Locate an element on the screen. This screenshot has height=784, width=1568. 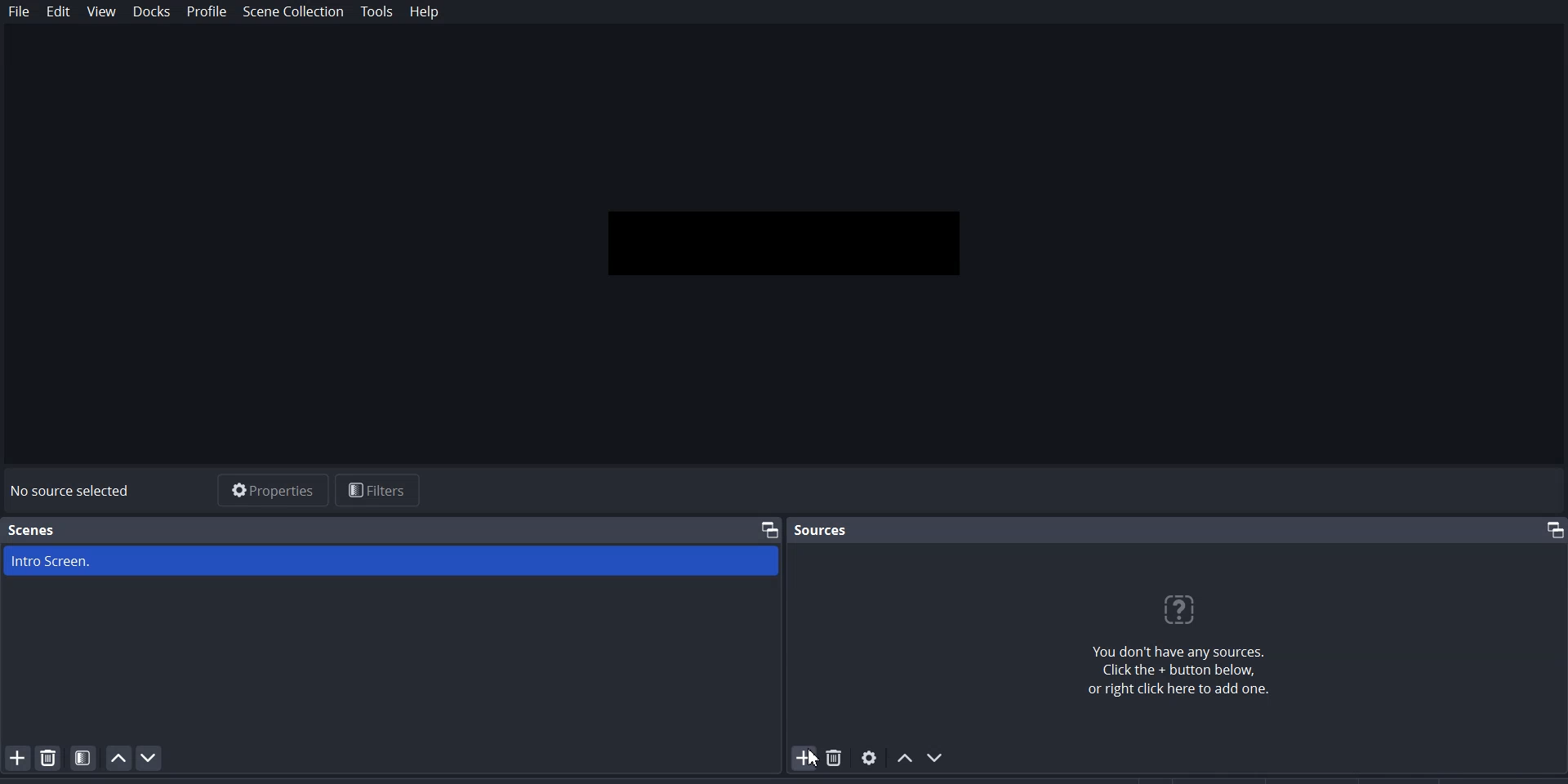
Maximize is located at coordinates (1549, 529).